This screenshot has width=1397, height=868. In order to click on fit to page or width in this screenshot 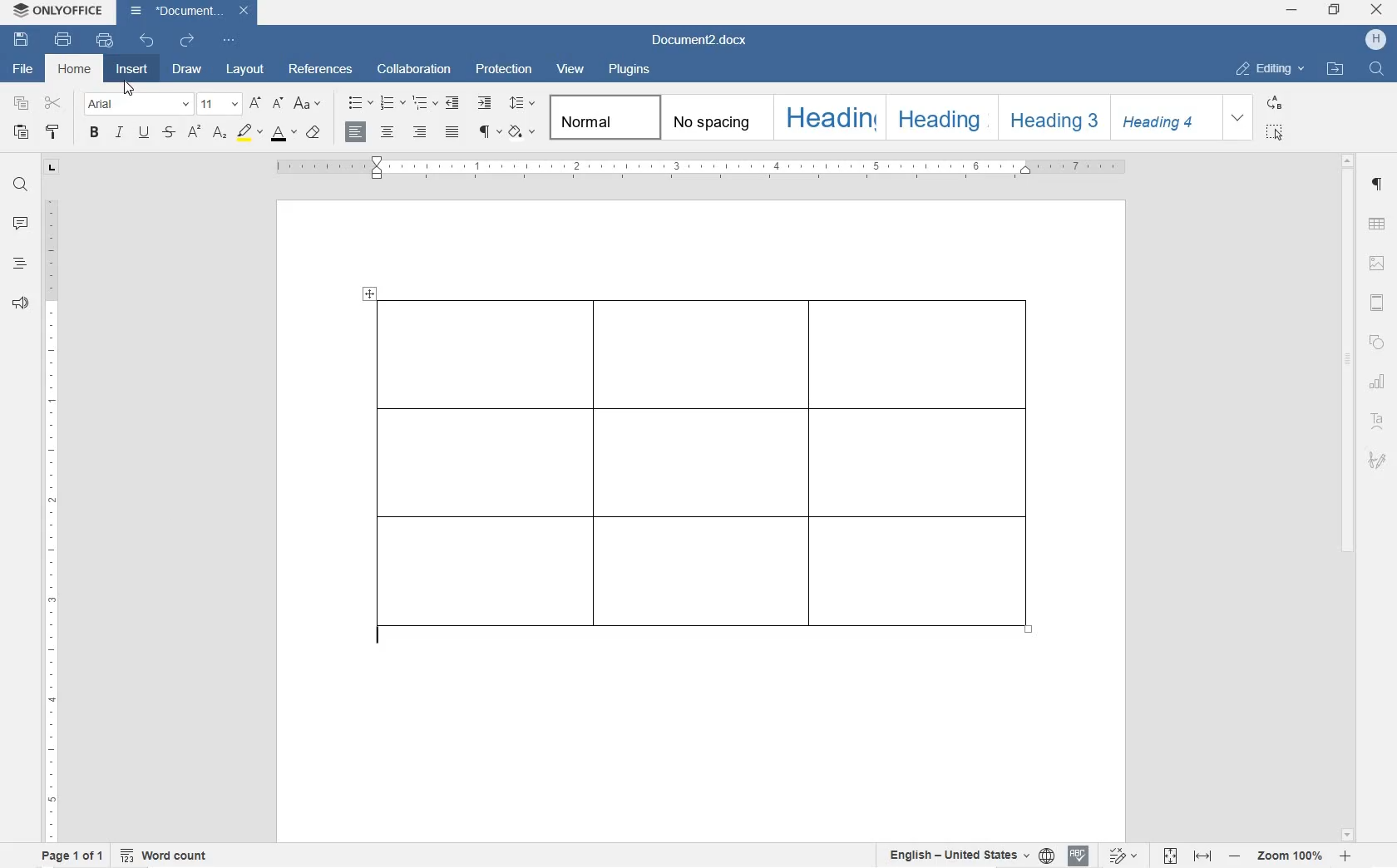, I will do `click(1187, 855)`.